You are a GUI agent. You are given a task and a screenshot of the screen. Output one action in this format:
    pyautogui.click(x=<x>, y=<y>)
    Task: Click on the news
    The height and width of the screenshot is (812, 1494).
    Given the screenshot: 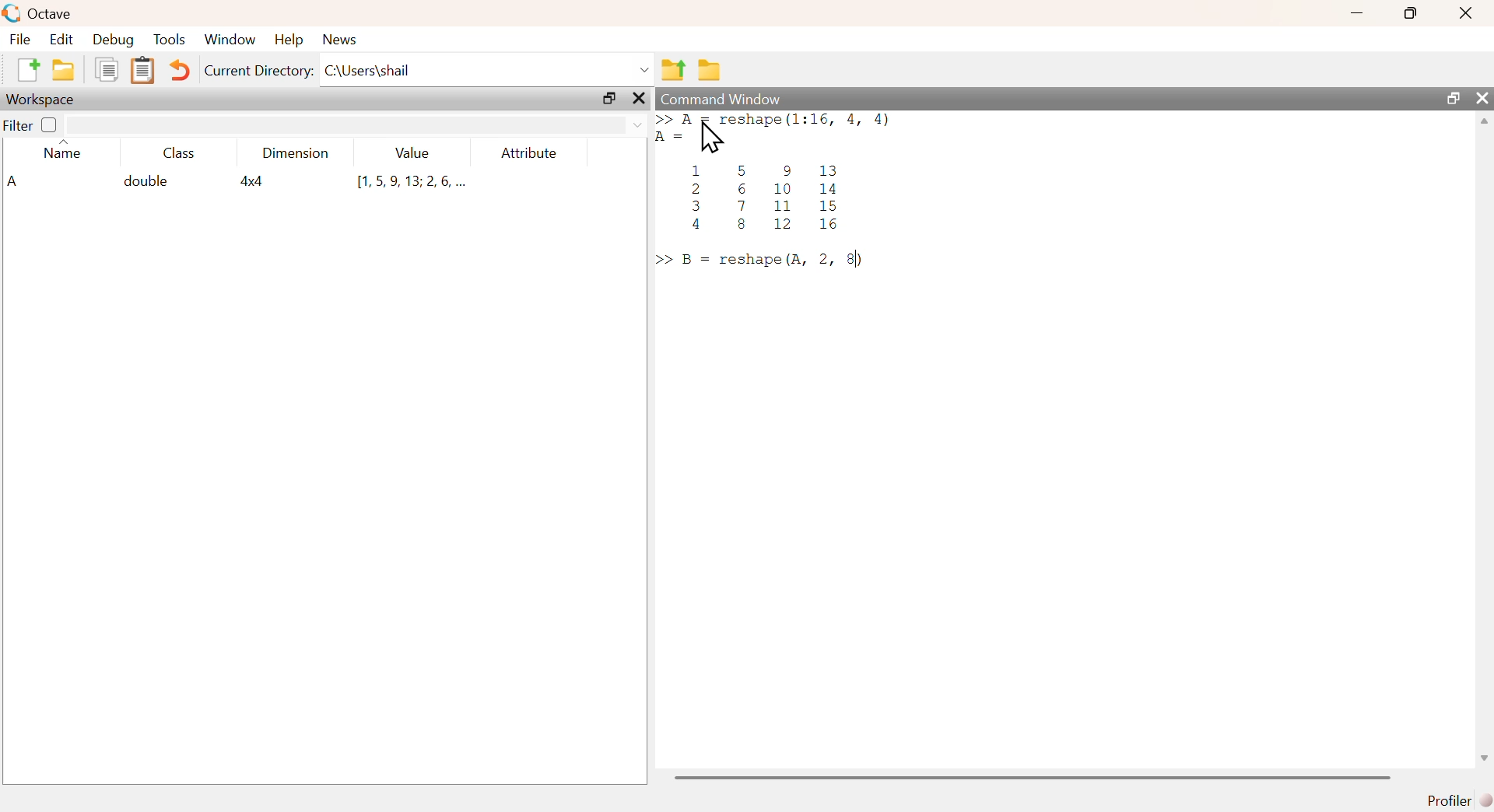 What is the action you would take?
    pyautogui.click(x=347, y=39)
    